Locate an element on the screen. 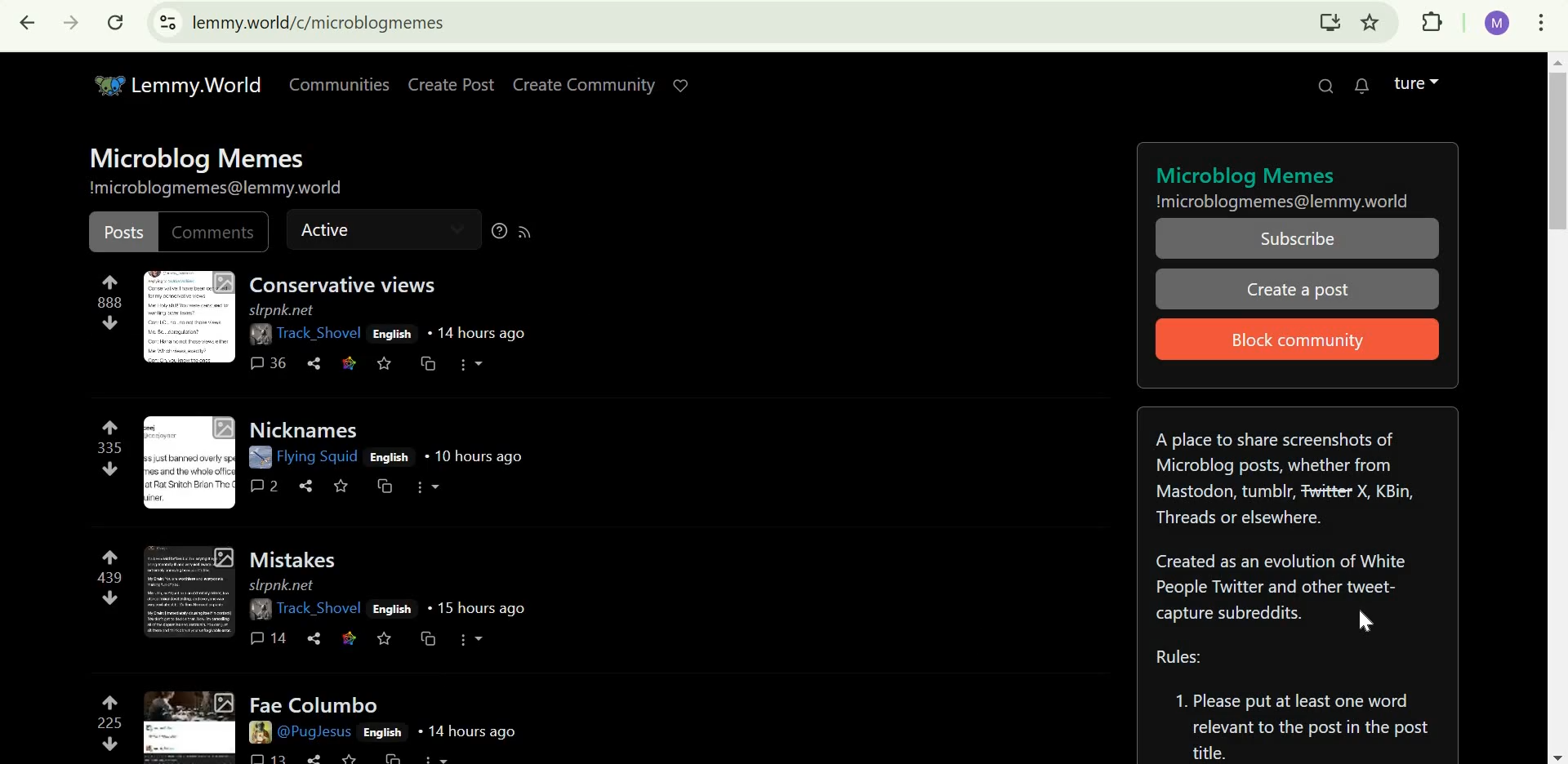  web address is located at coordinates (320, 22).